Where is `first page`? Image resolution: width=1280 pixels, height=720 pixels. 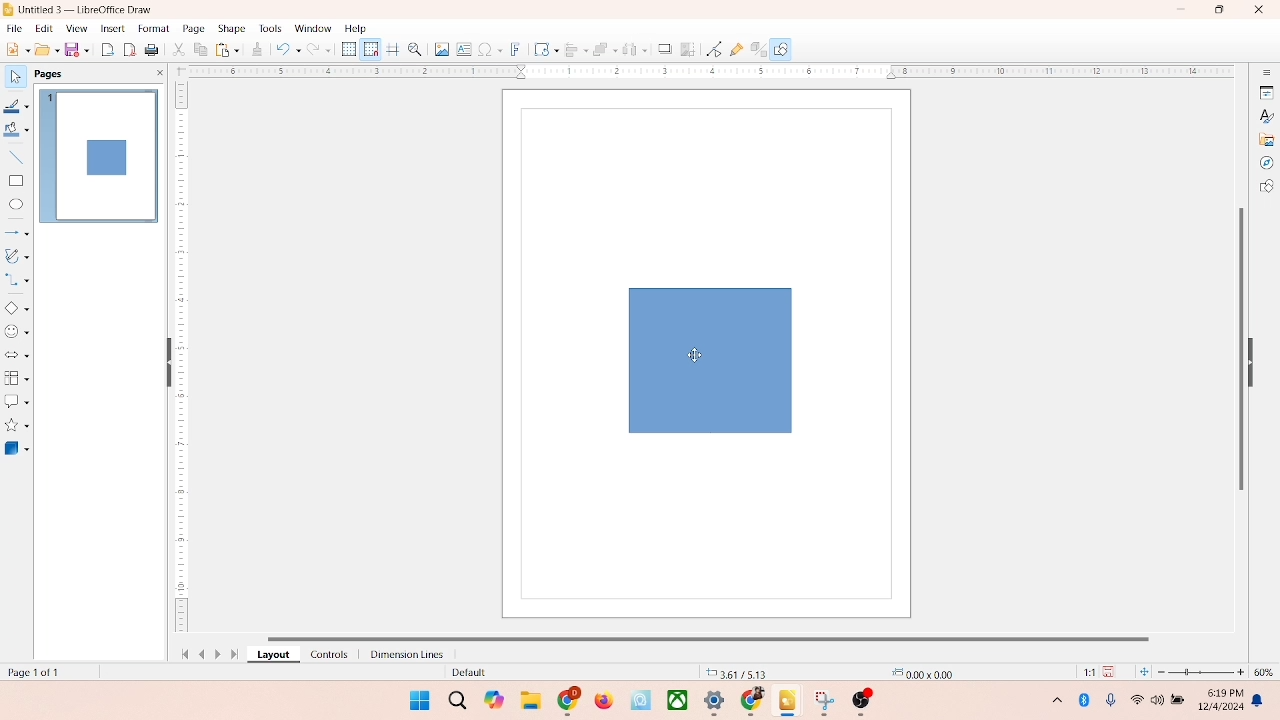
first page is located at coordinates (181, 652).